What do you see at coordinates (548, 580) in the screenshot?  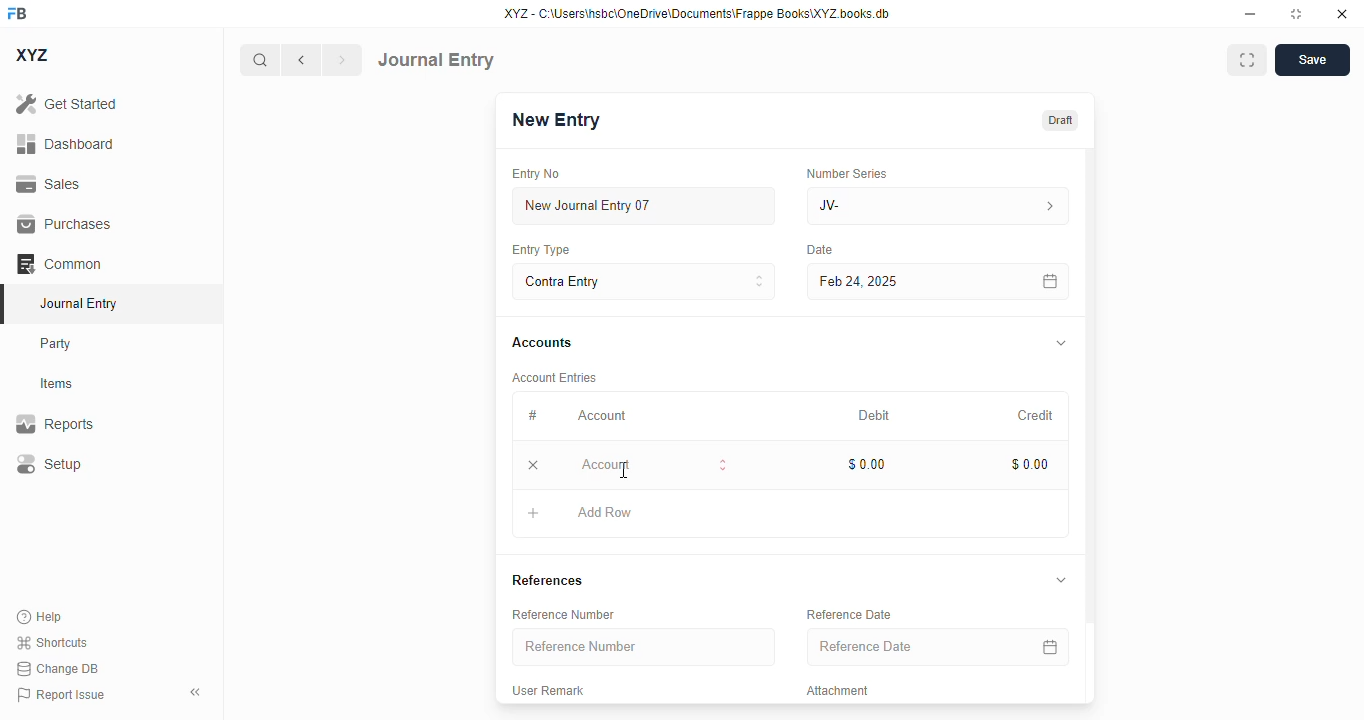 I see `references` at bounding box center [548, 580].